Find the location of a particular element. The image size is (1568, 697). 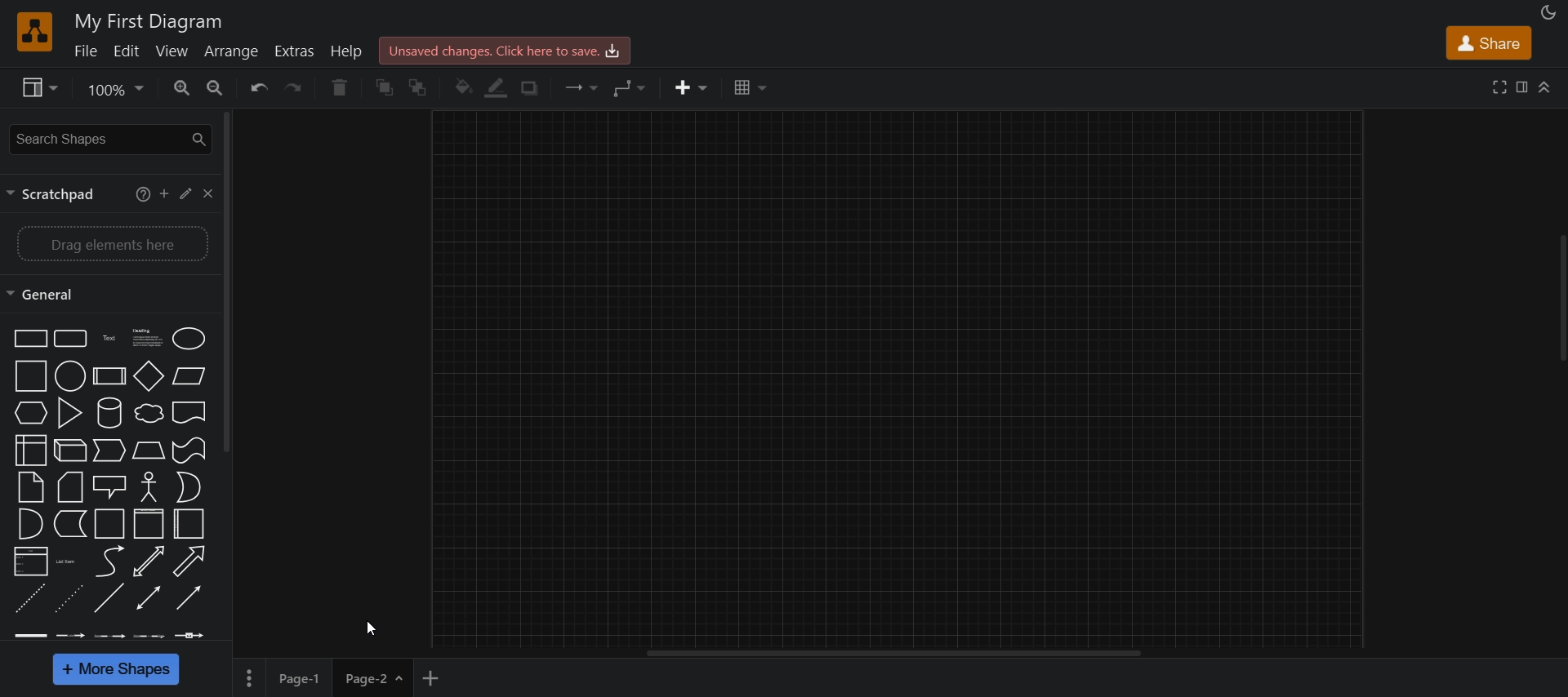

general is located at coordinates (45, 296).